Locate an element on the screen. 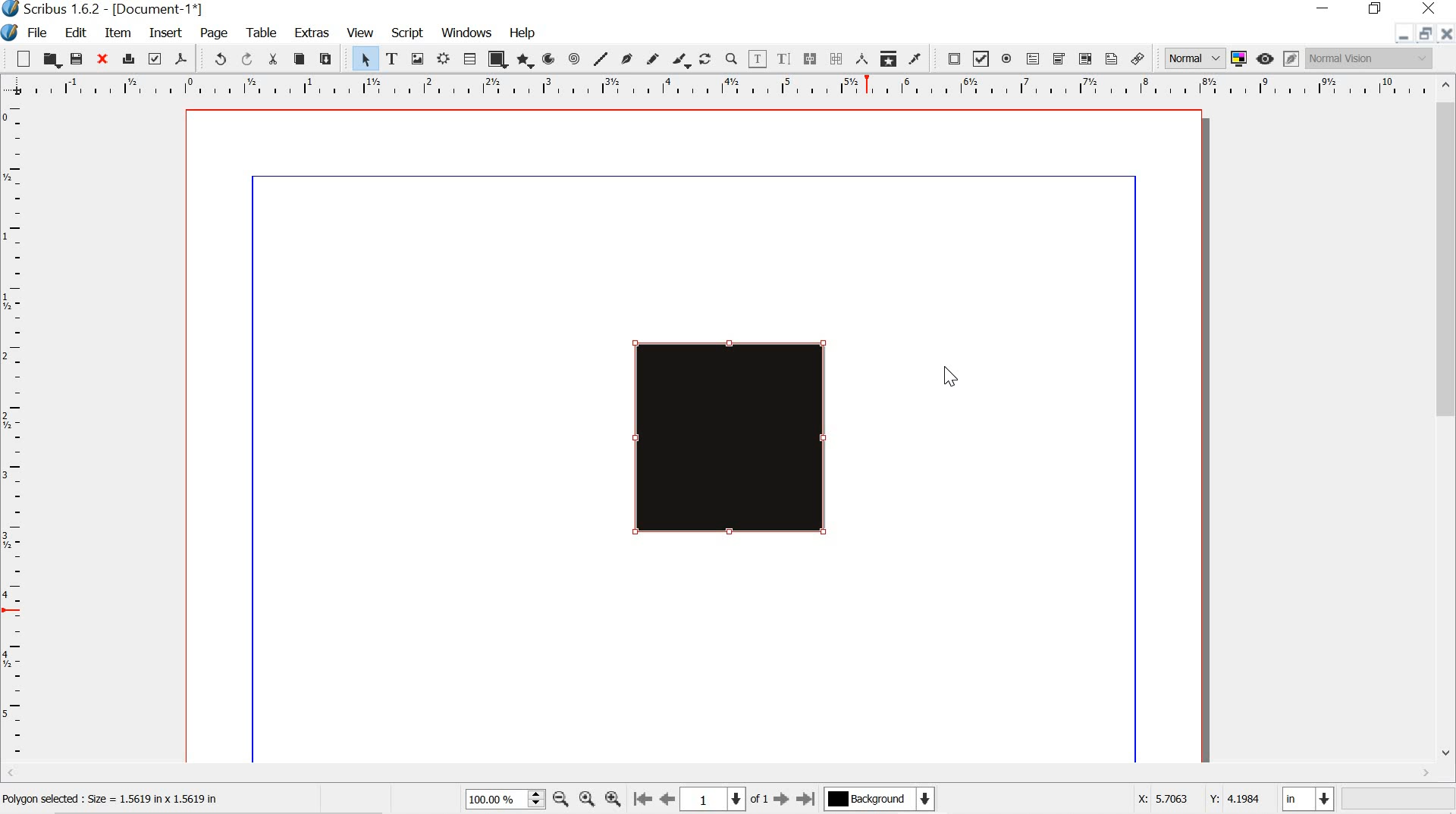 Image resolution: width=1456 pixels, height=814 pixels. edit is located at coordinates (78, 32).